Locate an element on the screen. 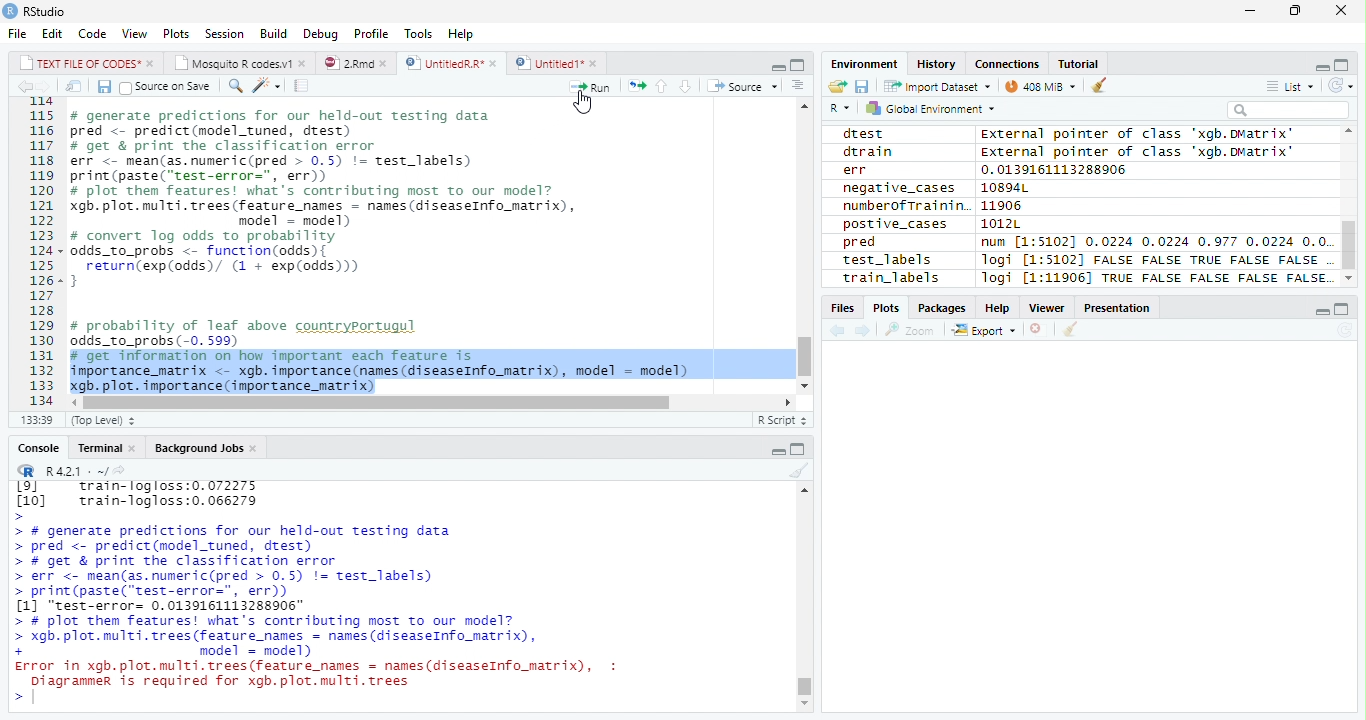 This screenshot has height=720, width=1366. Source is located at coordinates (741, 85).